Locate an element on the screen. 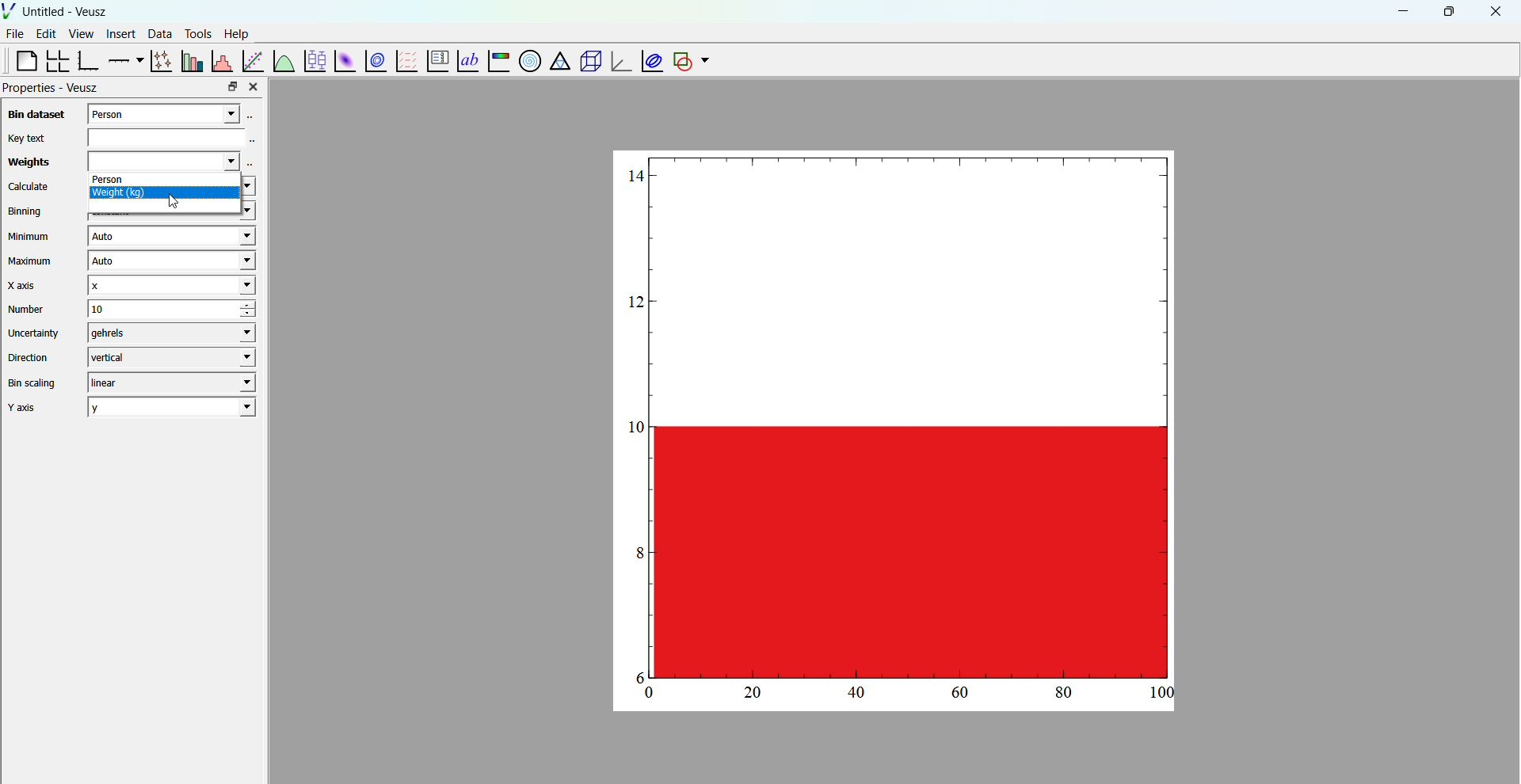  add a shape to the plot is located at coordinates (681, 61).